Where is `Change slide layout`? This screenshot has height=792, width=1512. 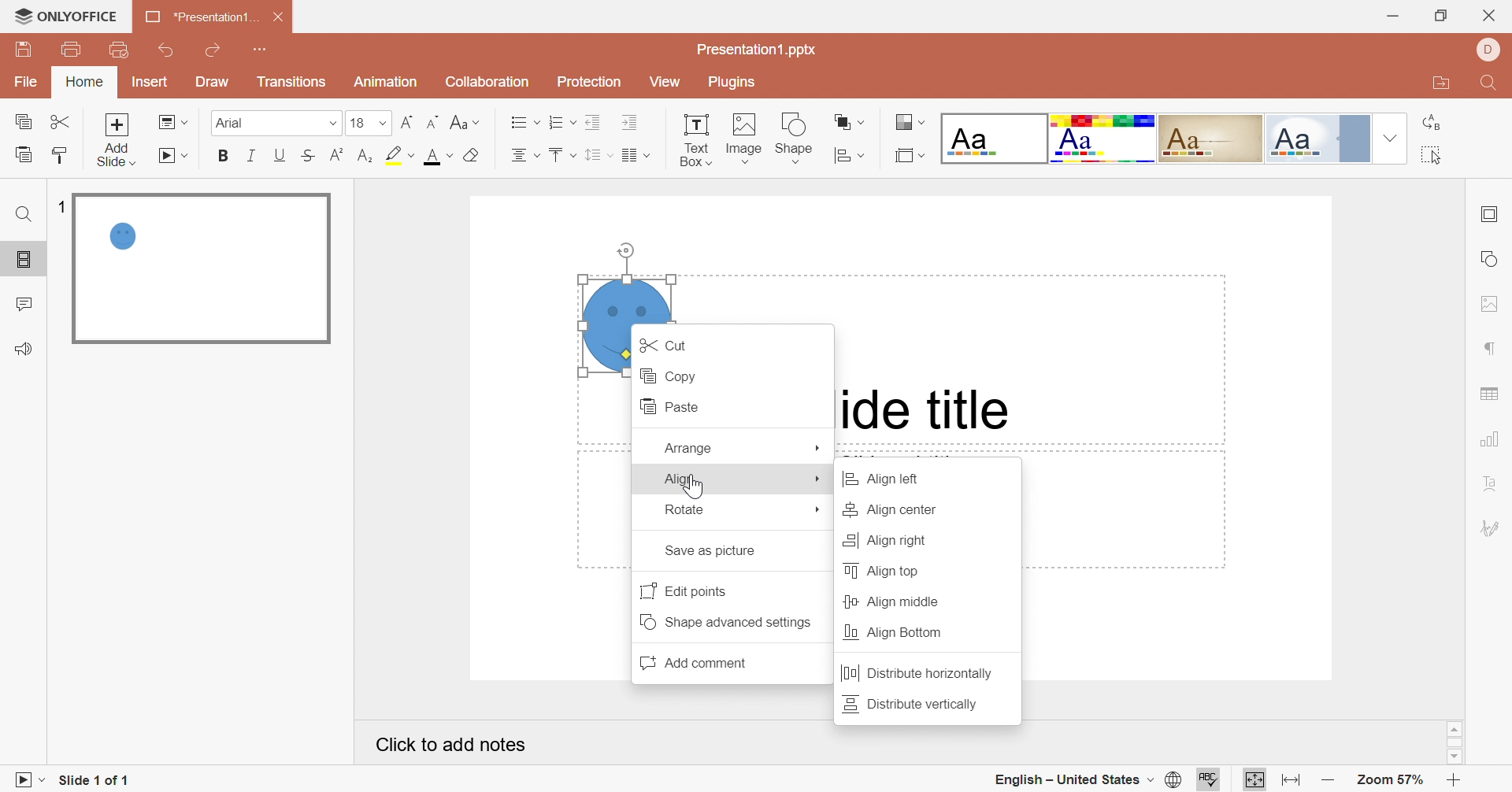 Change slide layout is located at coordinates (174, 121).